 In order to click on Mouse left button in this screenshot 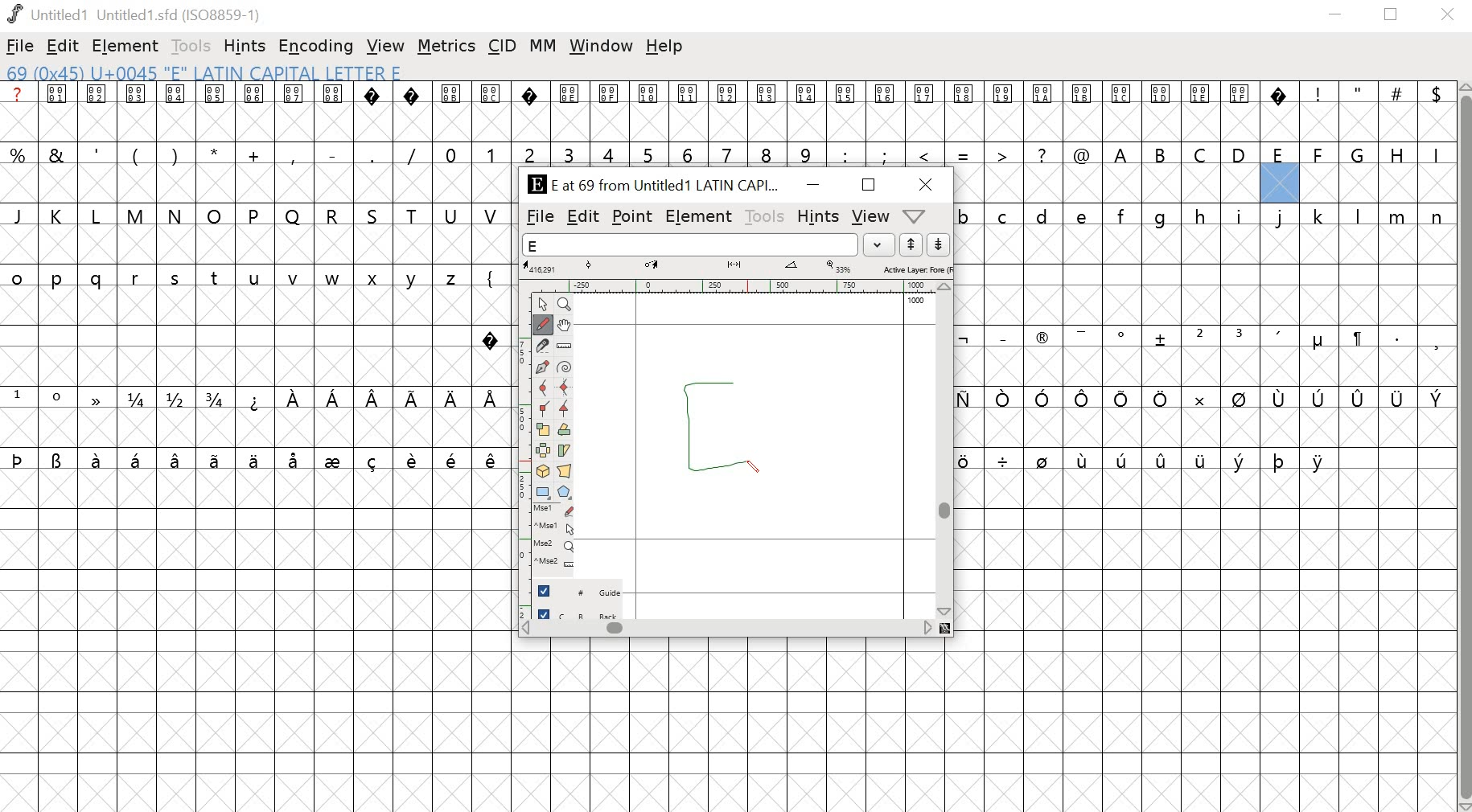, I will do `click(553, 511)`.